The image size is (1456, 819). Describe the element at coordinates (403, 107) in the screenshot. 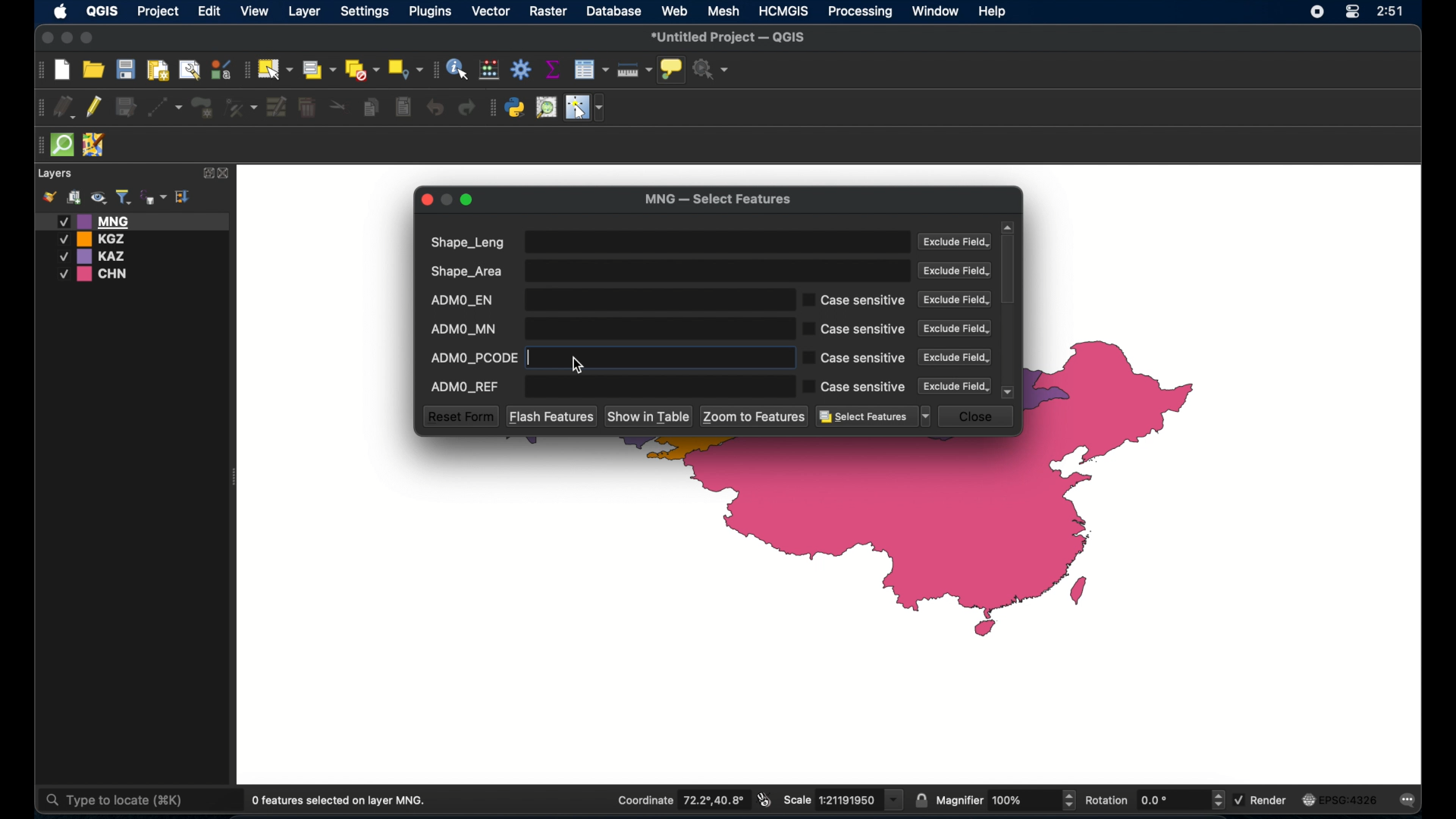

I see `delete selected` at that location.